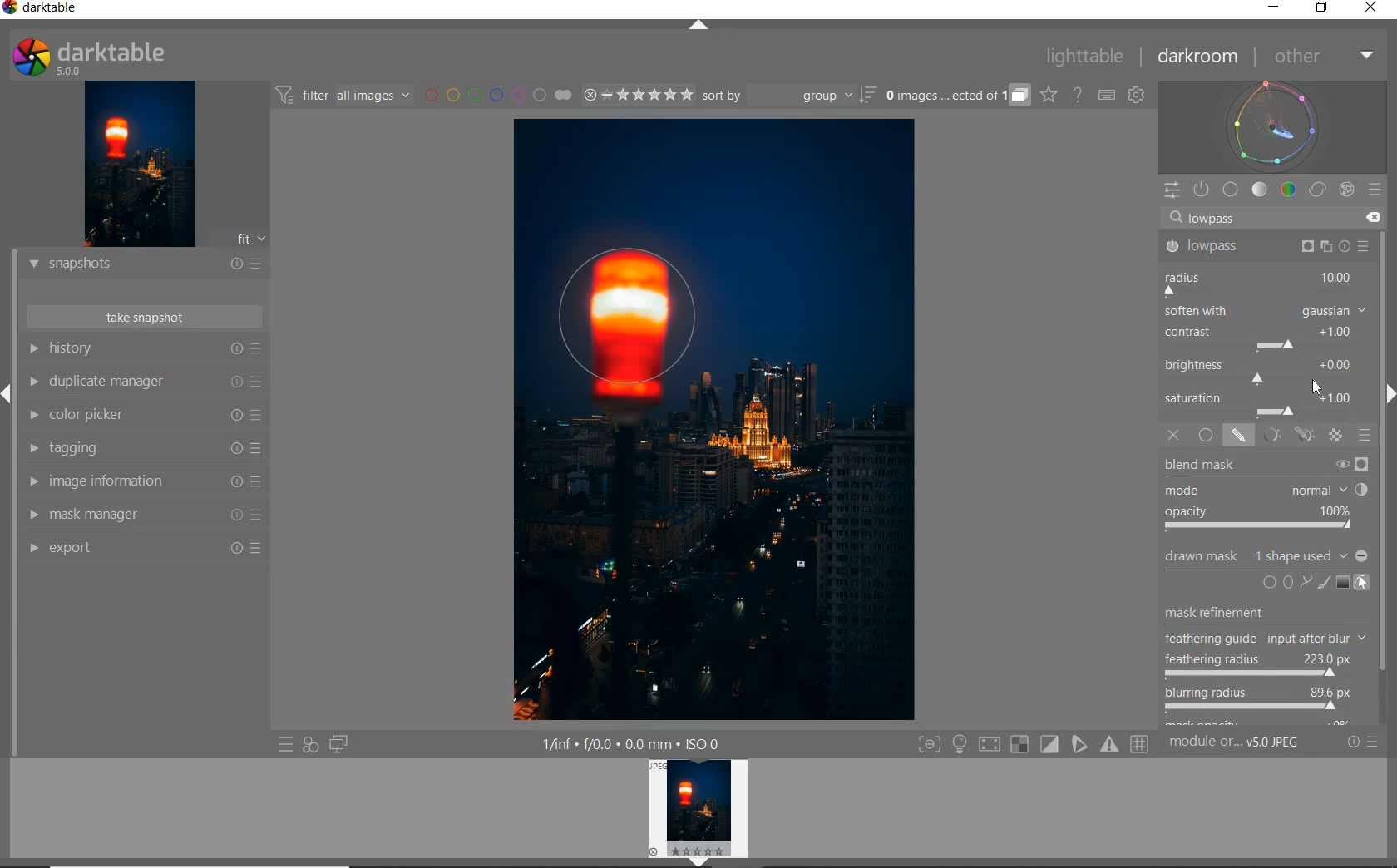  What do you see at coordinates (1257, 700) in the screenshot?
I see `BLURRING RADIUS` at bounding box center [1257, 700].